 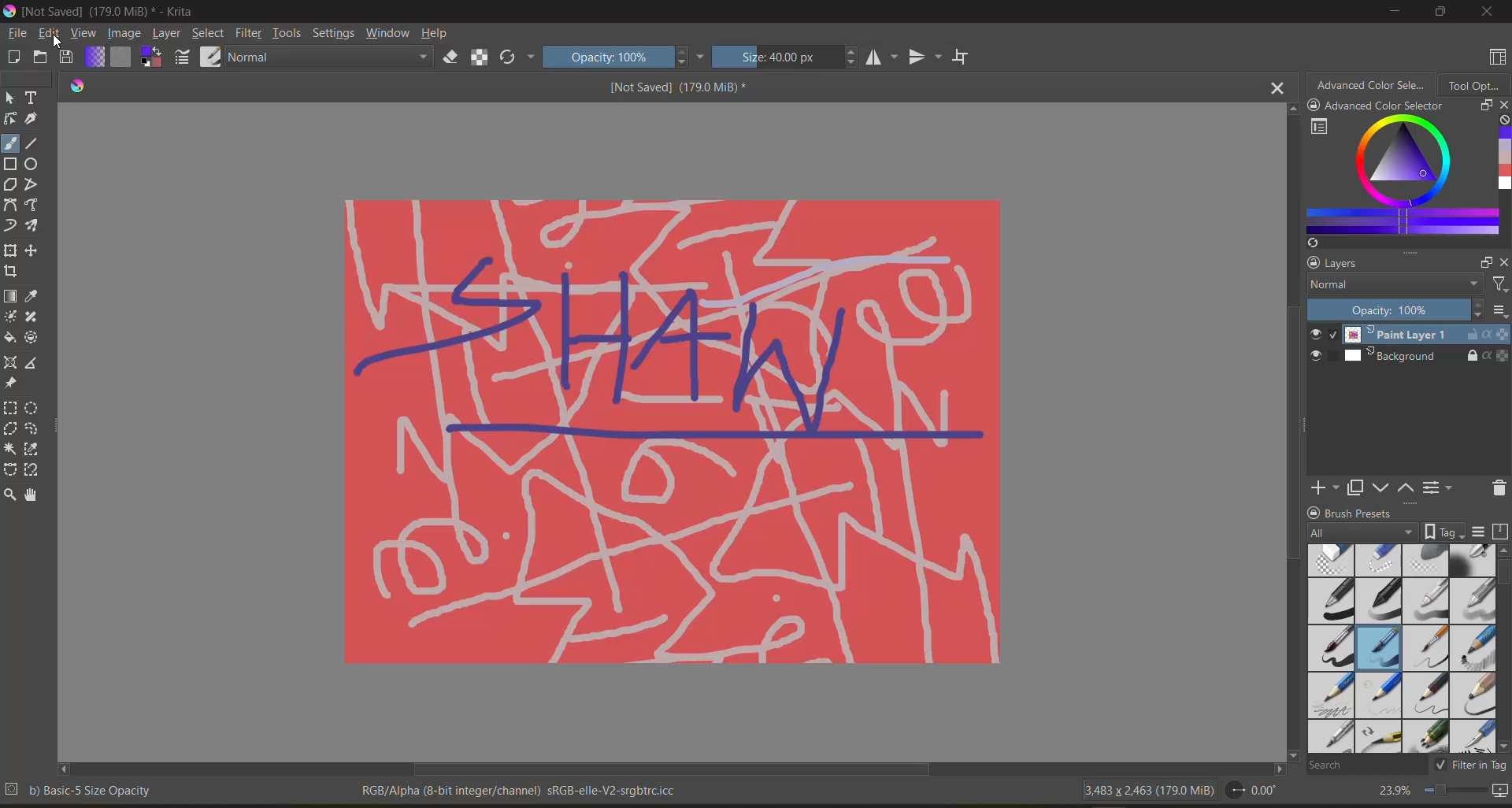 What do you see at coordinates (1426, 358) in the screenshot?
I see `Background` at bounding box center [1426, 358].